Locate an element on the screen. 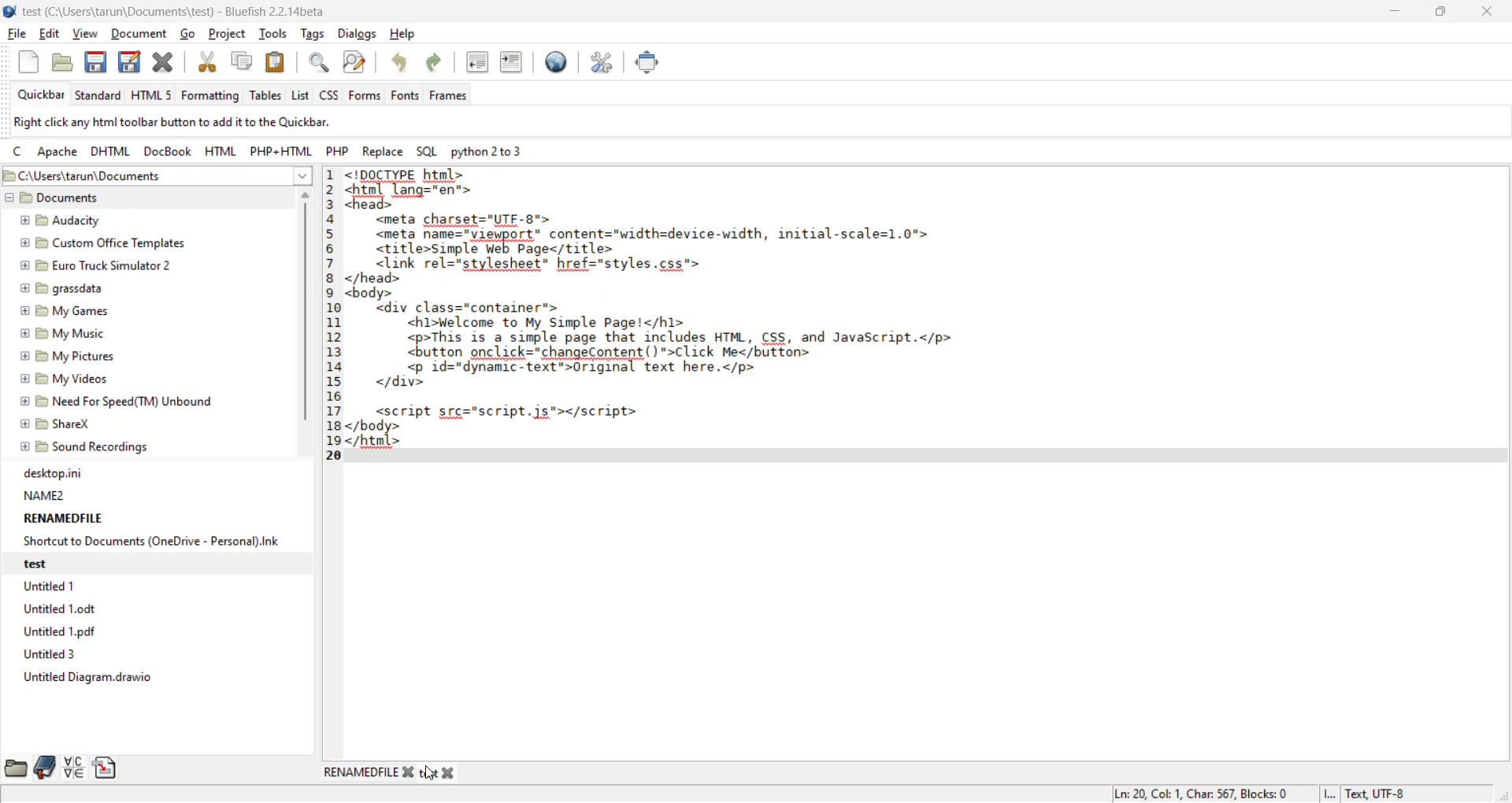 This screenshot has width=1512, height=803. frames is located at coordinates (451, 96).